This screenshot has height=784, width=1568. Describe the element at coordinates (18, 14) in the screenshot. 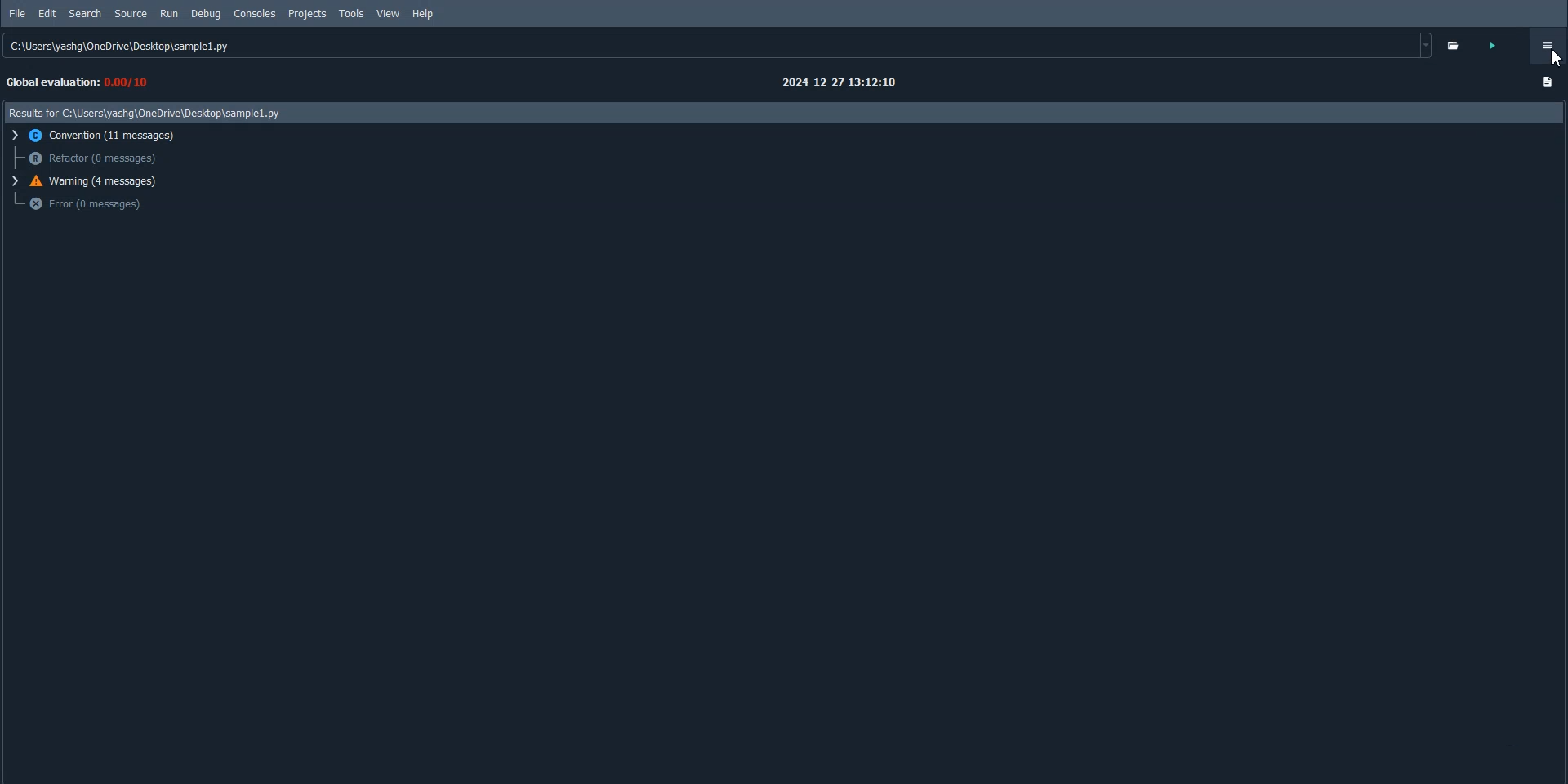

I see `File` at that location.